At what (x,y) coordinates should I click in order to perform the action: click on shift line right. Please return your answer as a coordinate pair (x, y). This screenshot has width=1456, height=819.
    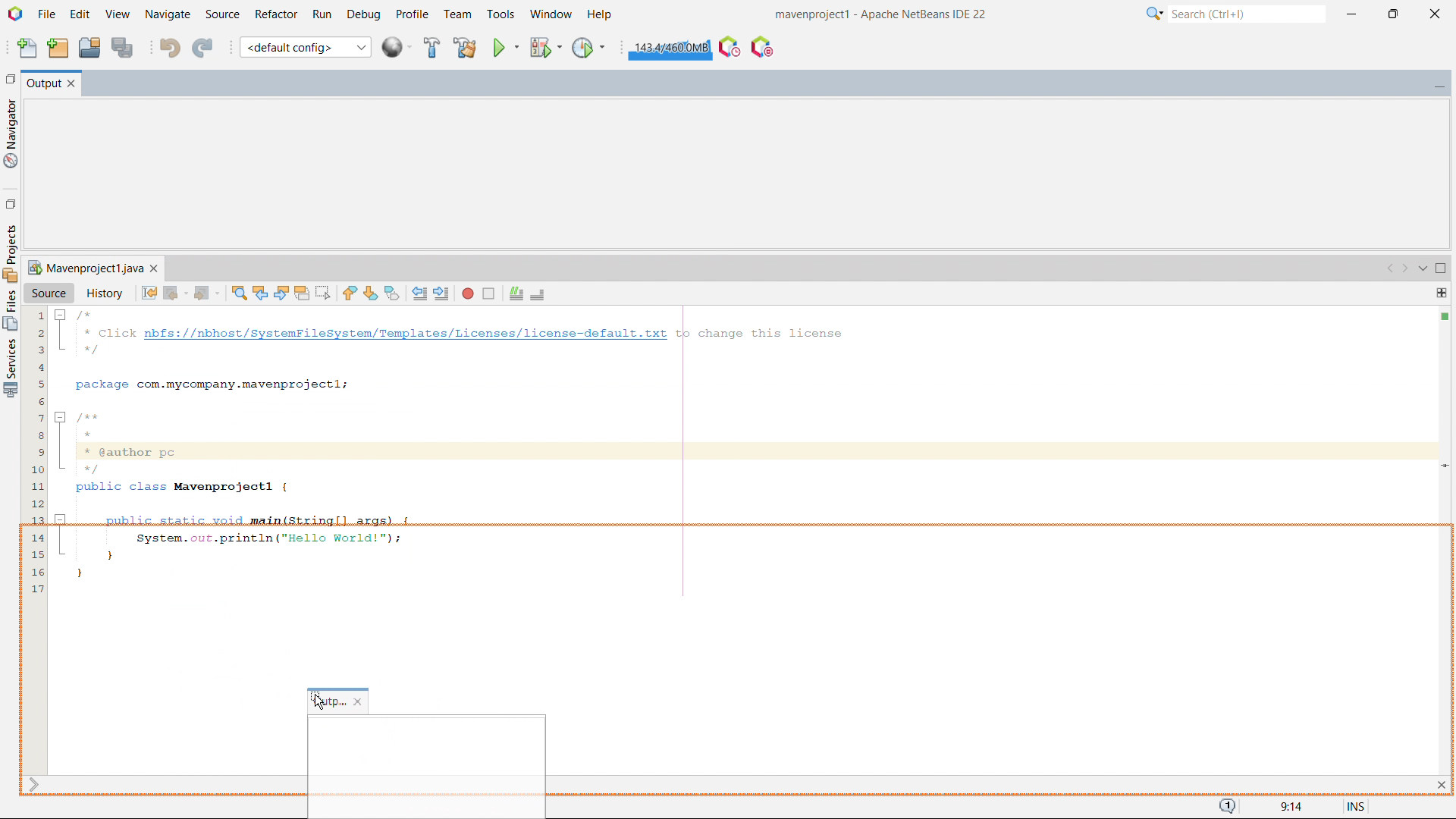
    Looking at the image, I should click on (443, 293).